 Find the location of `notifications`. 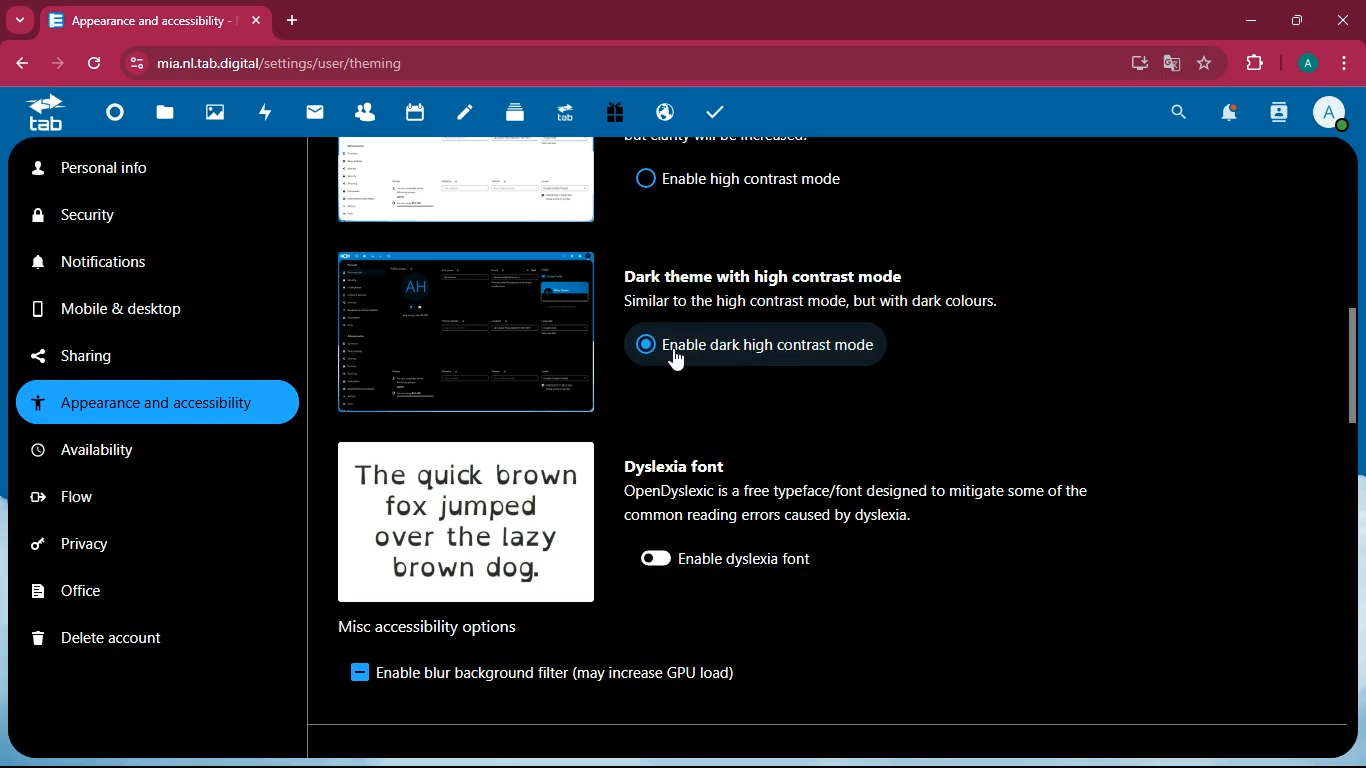

notifications is located at coordinates (1232, 114).